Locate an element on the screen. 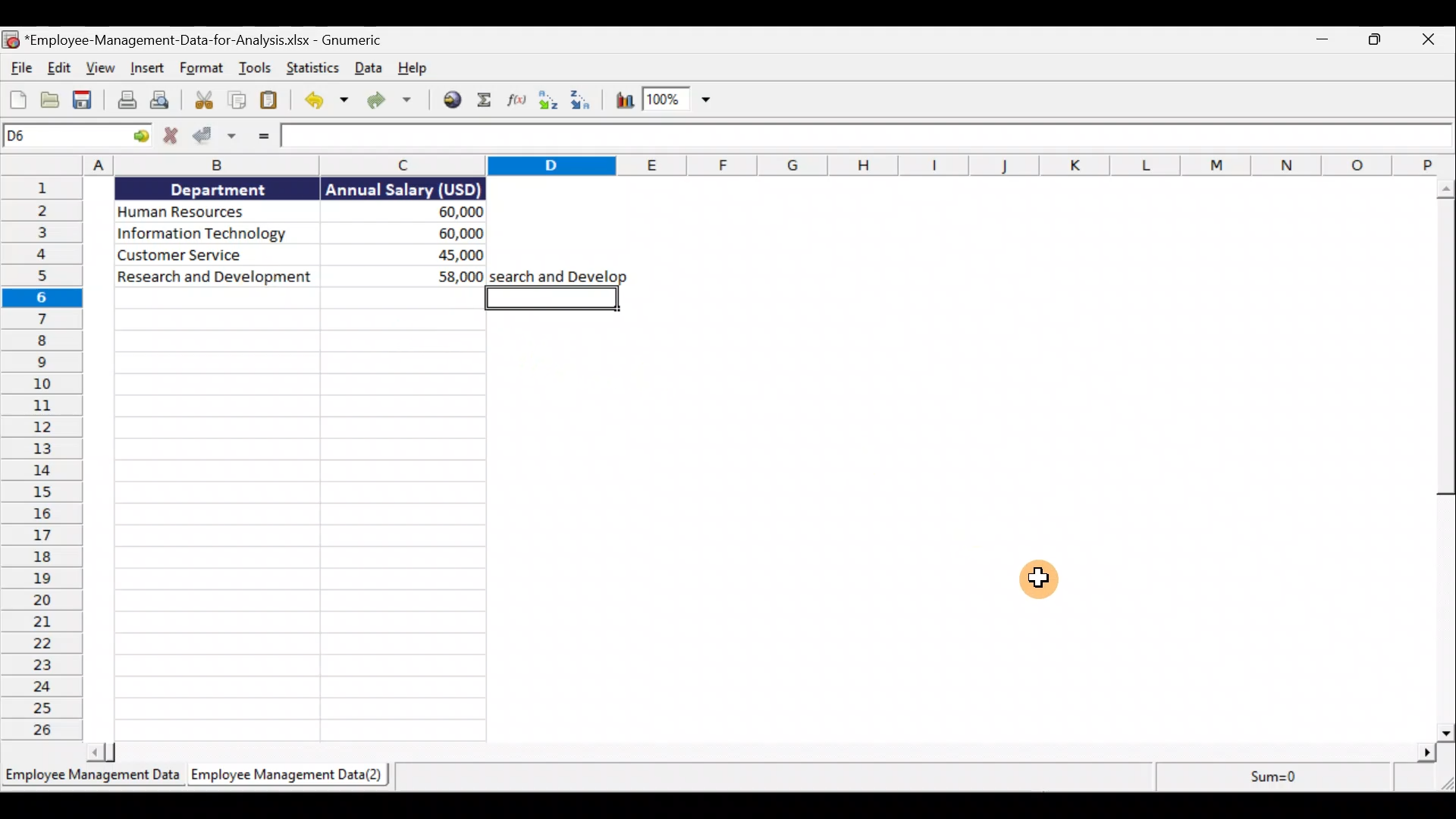  File is located at coordinates (19, 67).